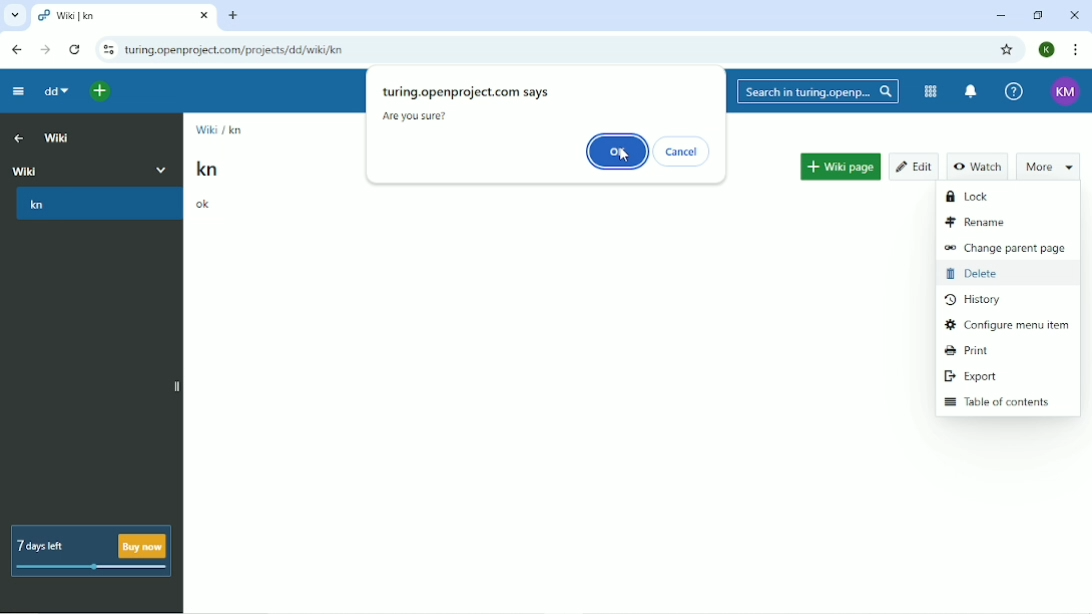  What do you see at coordinates (997, 403) in the screenshot?
I see `Table of contents` at bounding box center [997, 403].